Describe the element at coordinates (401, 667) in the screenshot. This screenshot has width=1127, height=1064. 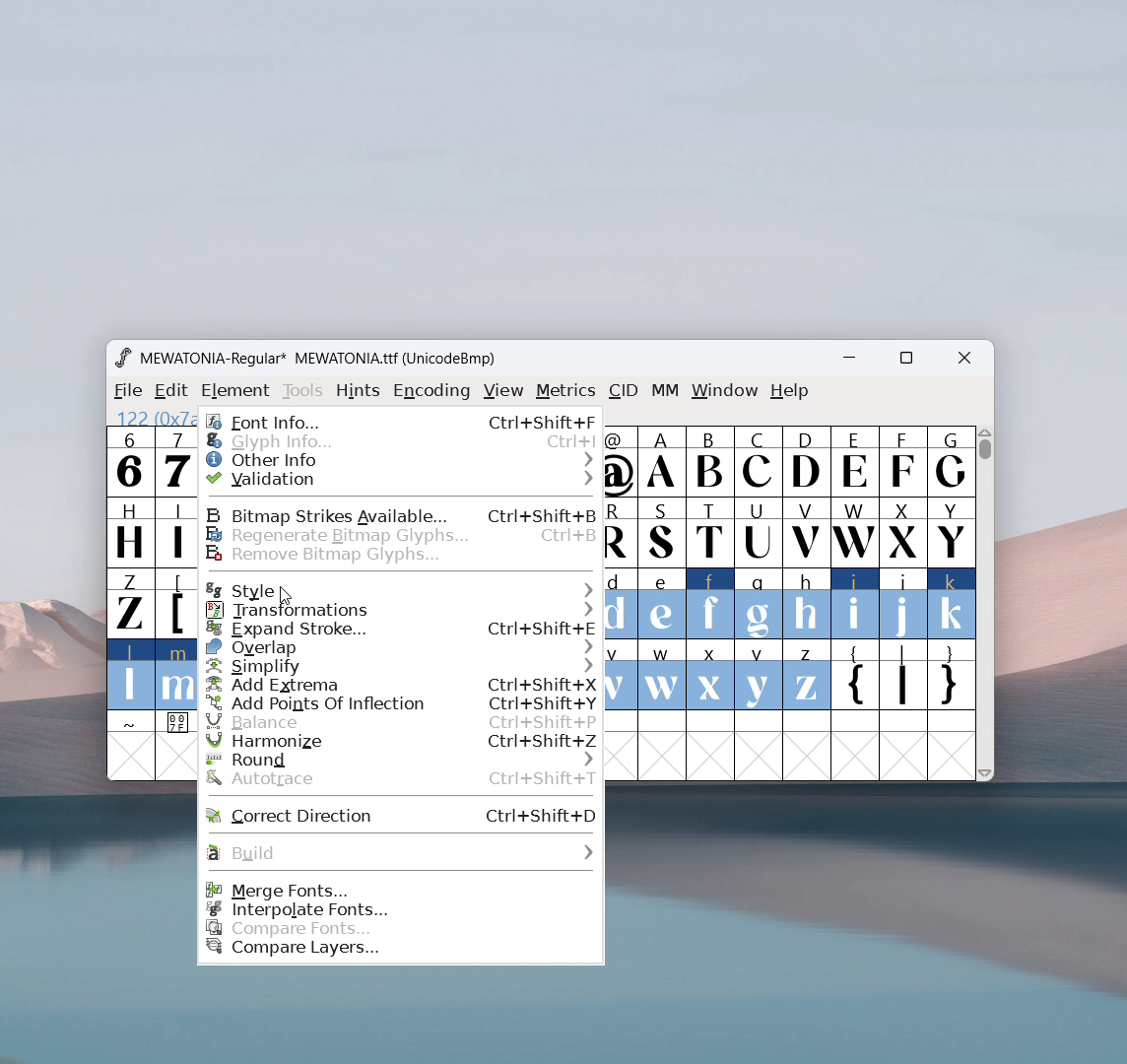
I see `simplify` at that location.